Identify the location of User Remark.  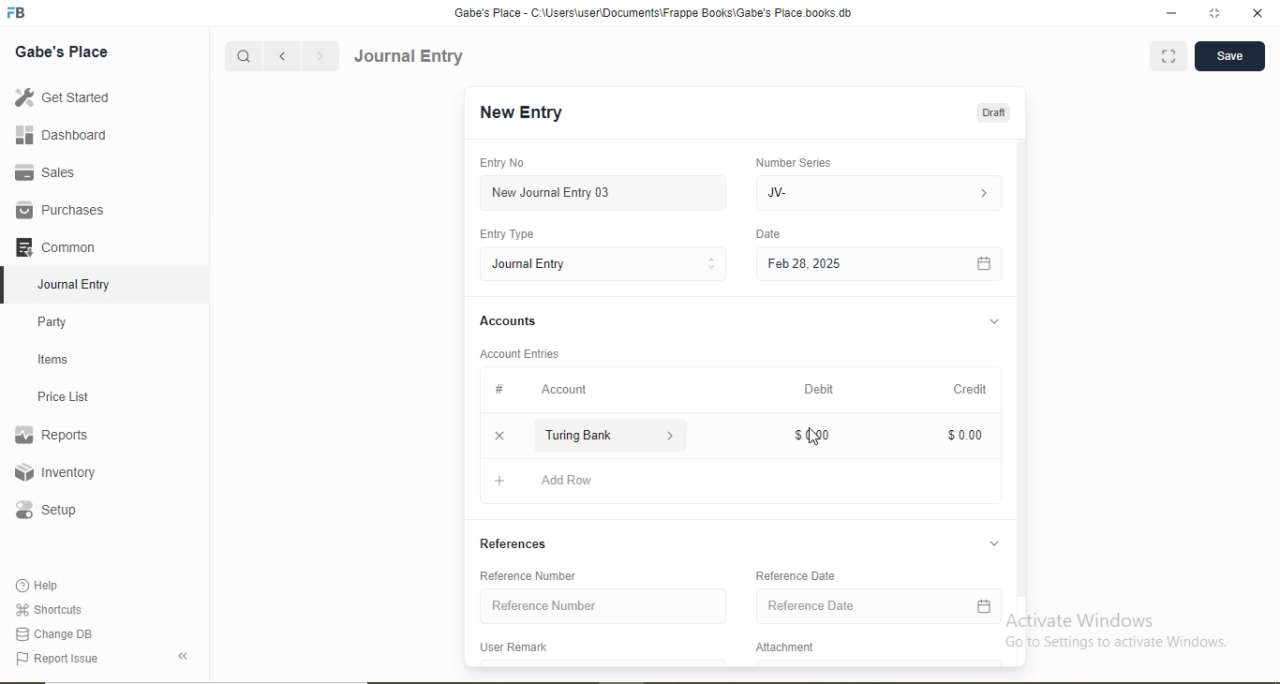
(513, 646).